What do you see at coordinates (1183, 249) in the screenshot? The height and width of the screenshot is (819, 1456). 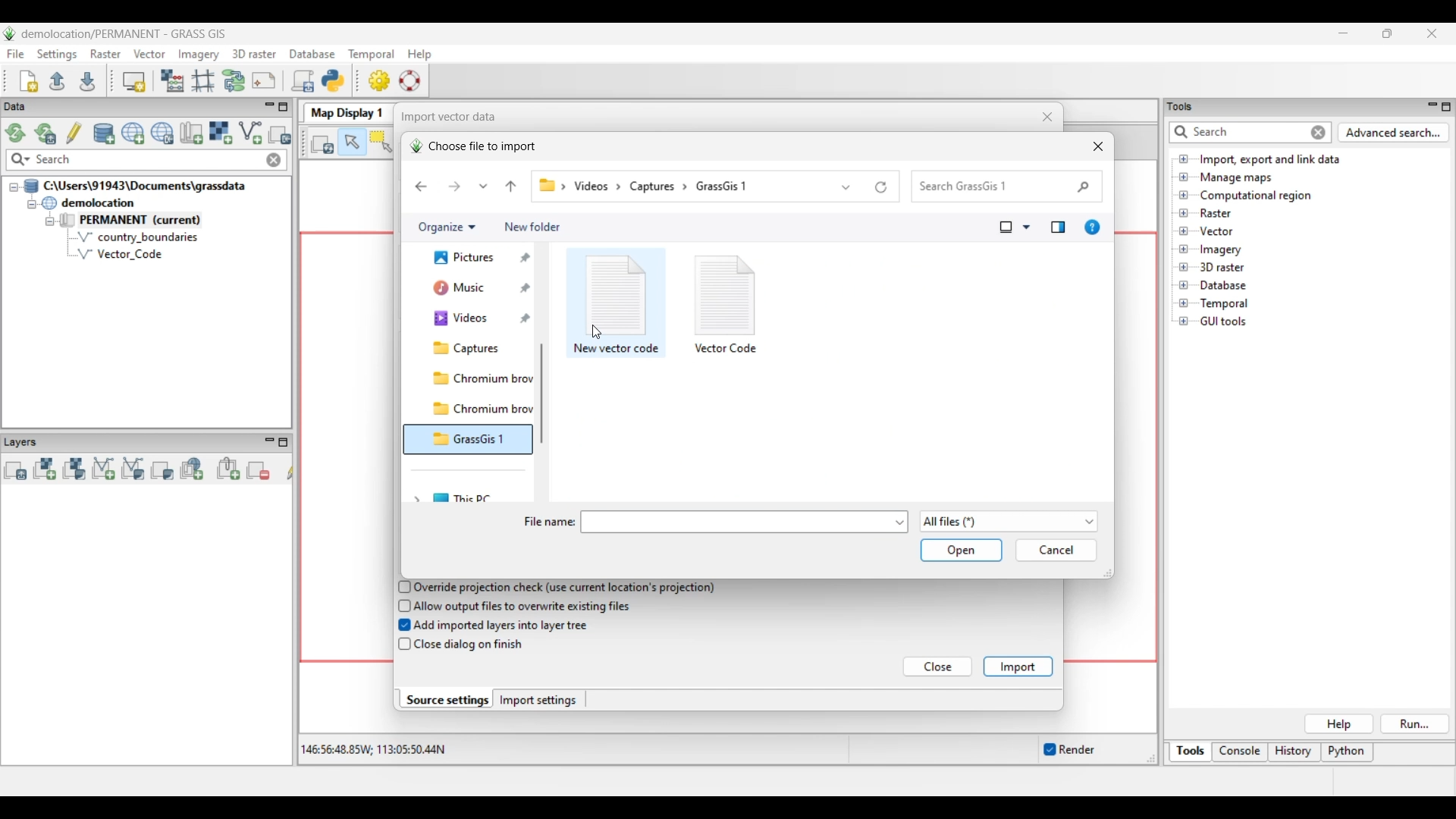 I see `Click to open files under Imagery` at bounding box center [1183, 249].